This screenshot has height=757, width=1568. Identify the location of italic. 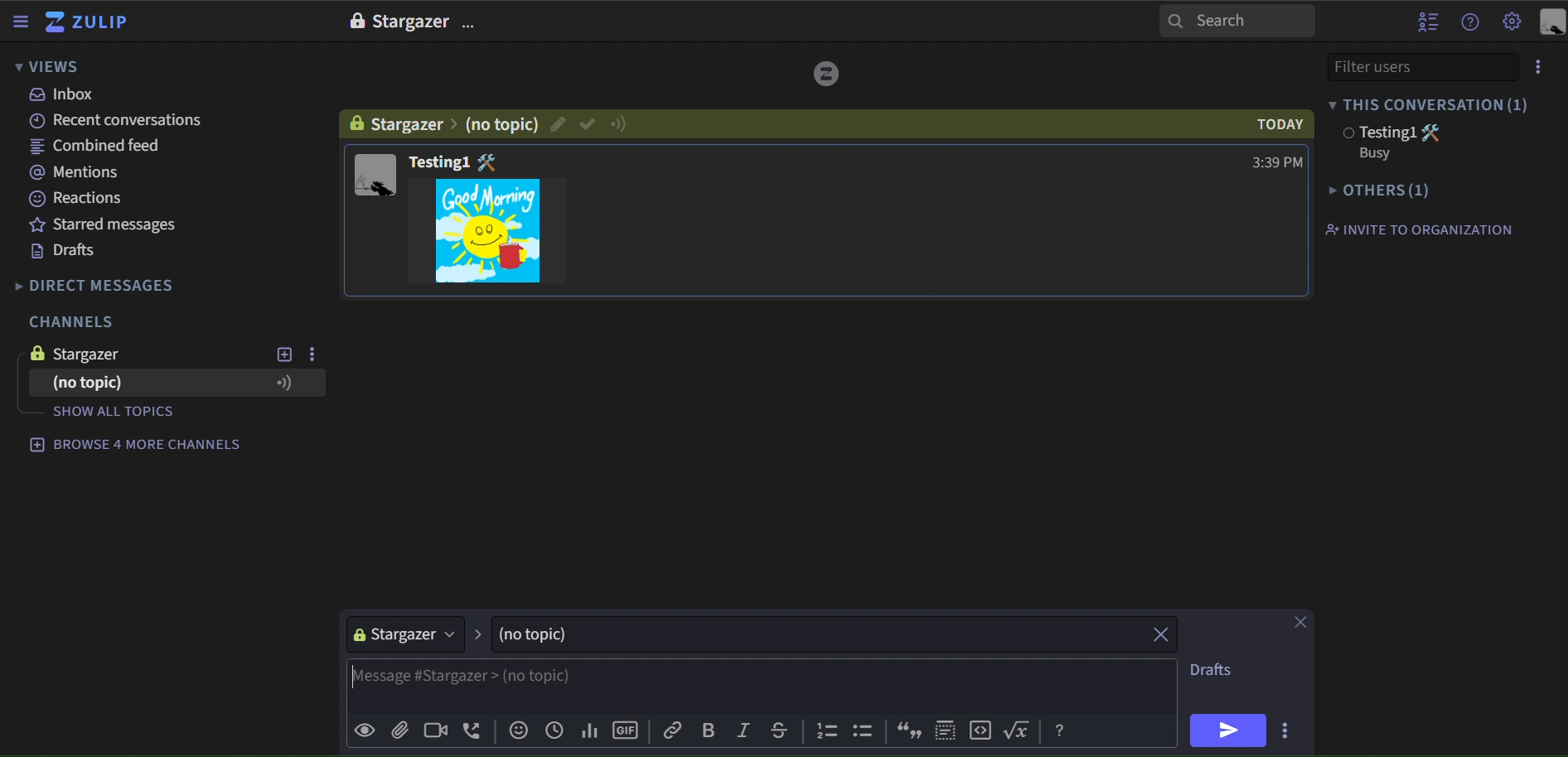
(743, 731).